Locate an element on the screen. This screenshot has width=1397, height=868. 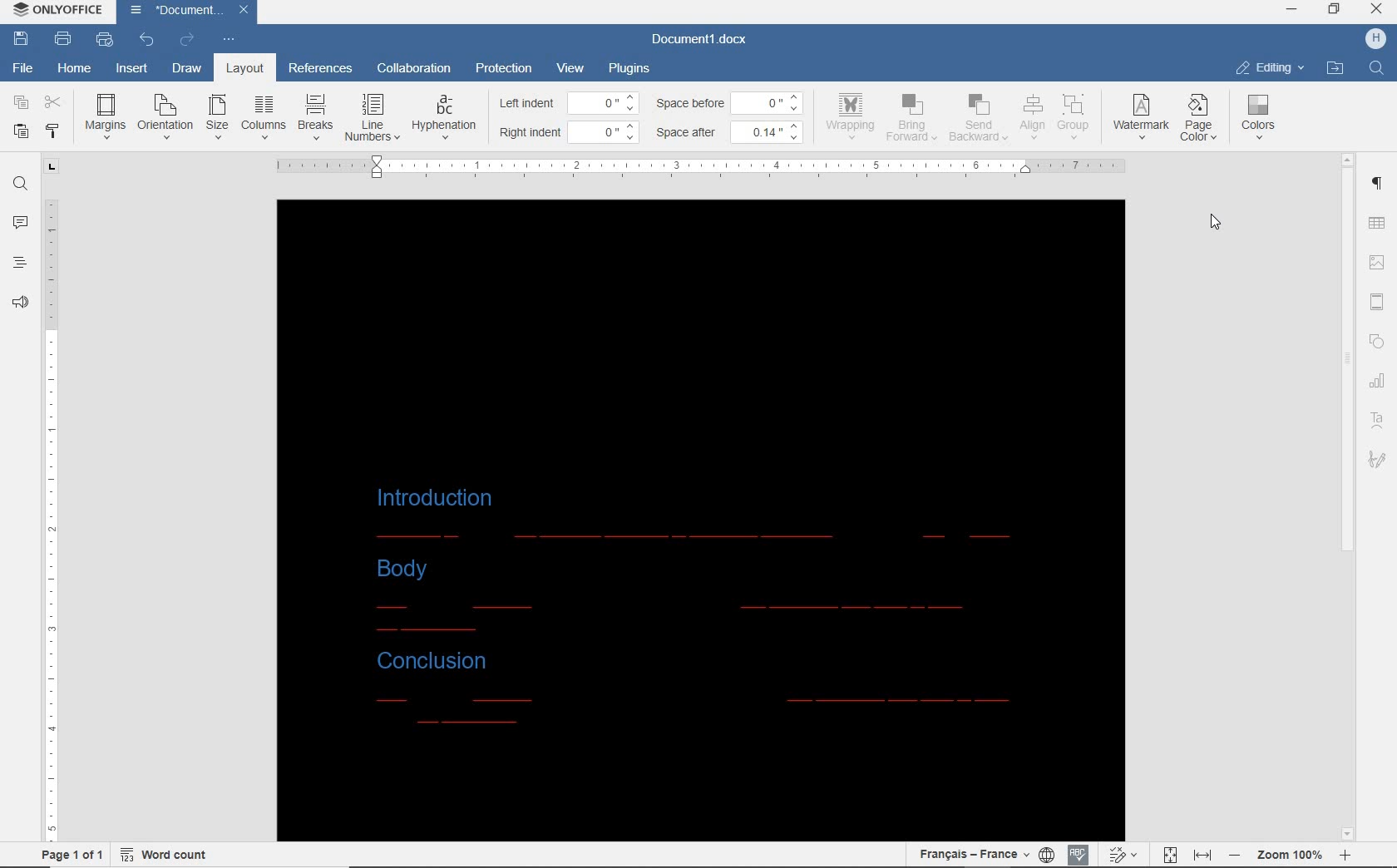
minimize is located at coordinates (1291, 9).